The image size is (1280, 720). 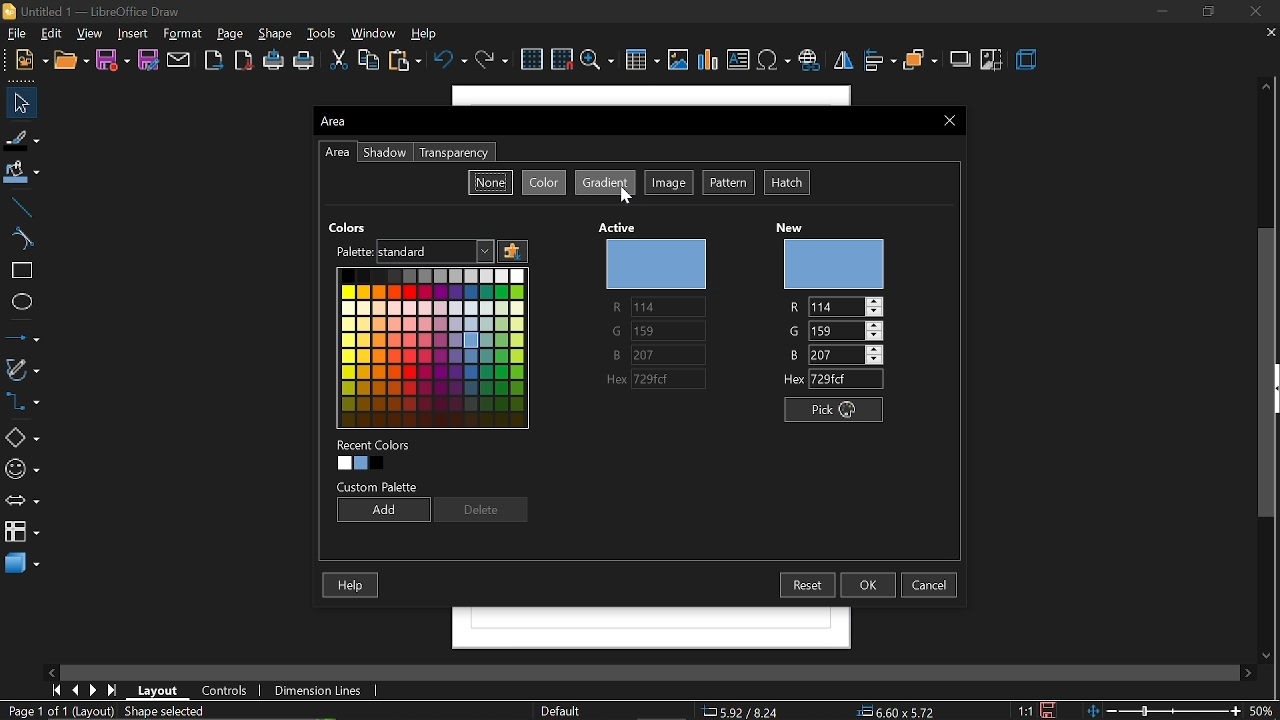 What do you see at coordinates (216, 60) in the screenshot?
I see `export` at bounding box center [216, 60].